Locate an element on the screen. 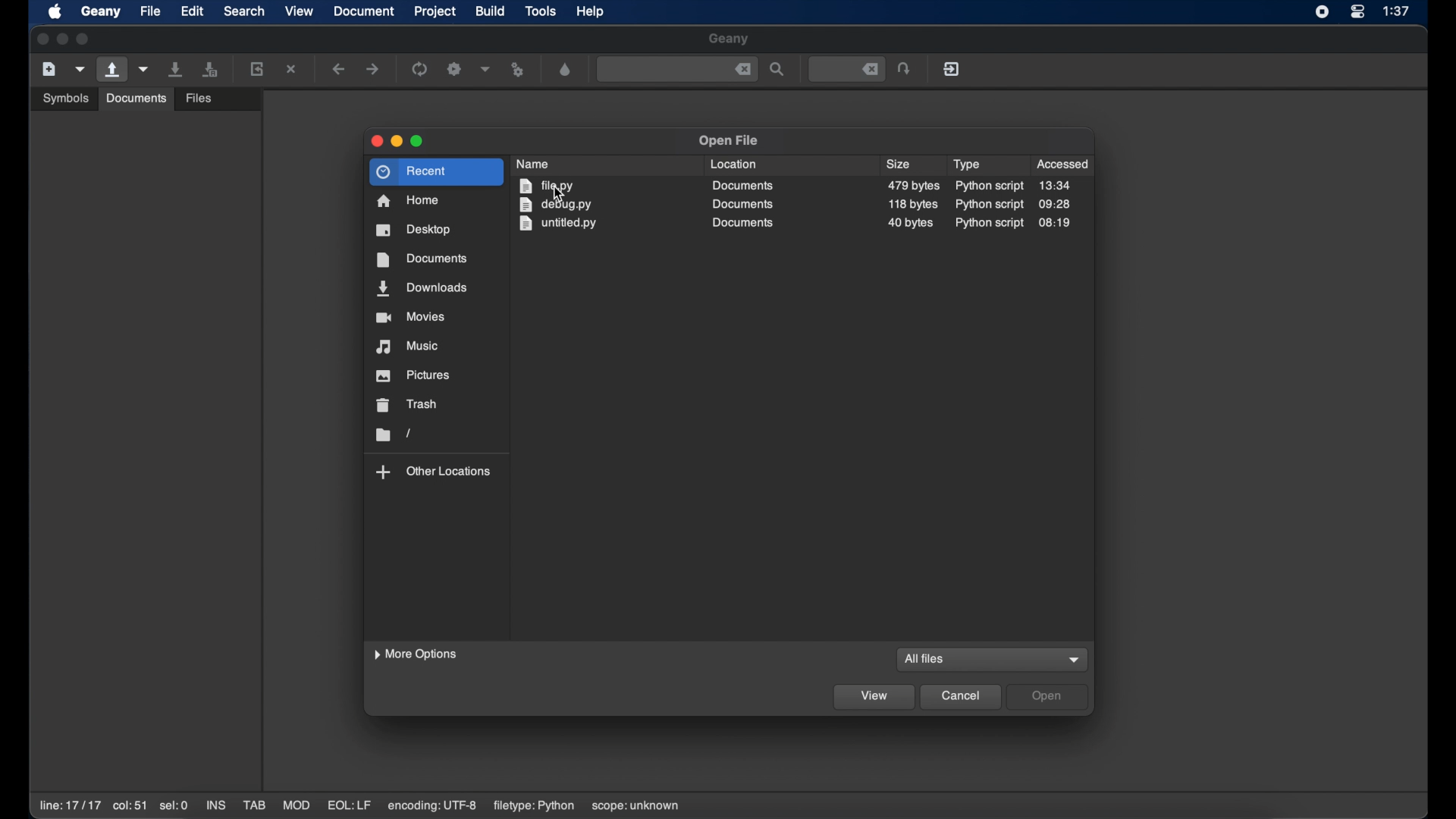  help is located at coordinates (591, 11).